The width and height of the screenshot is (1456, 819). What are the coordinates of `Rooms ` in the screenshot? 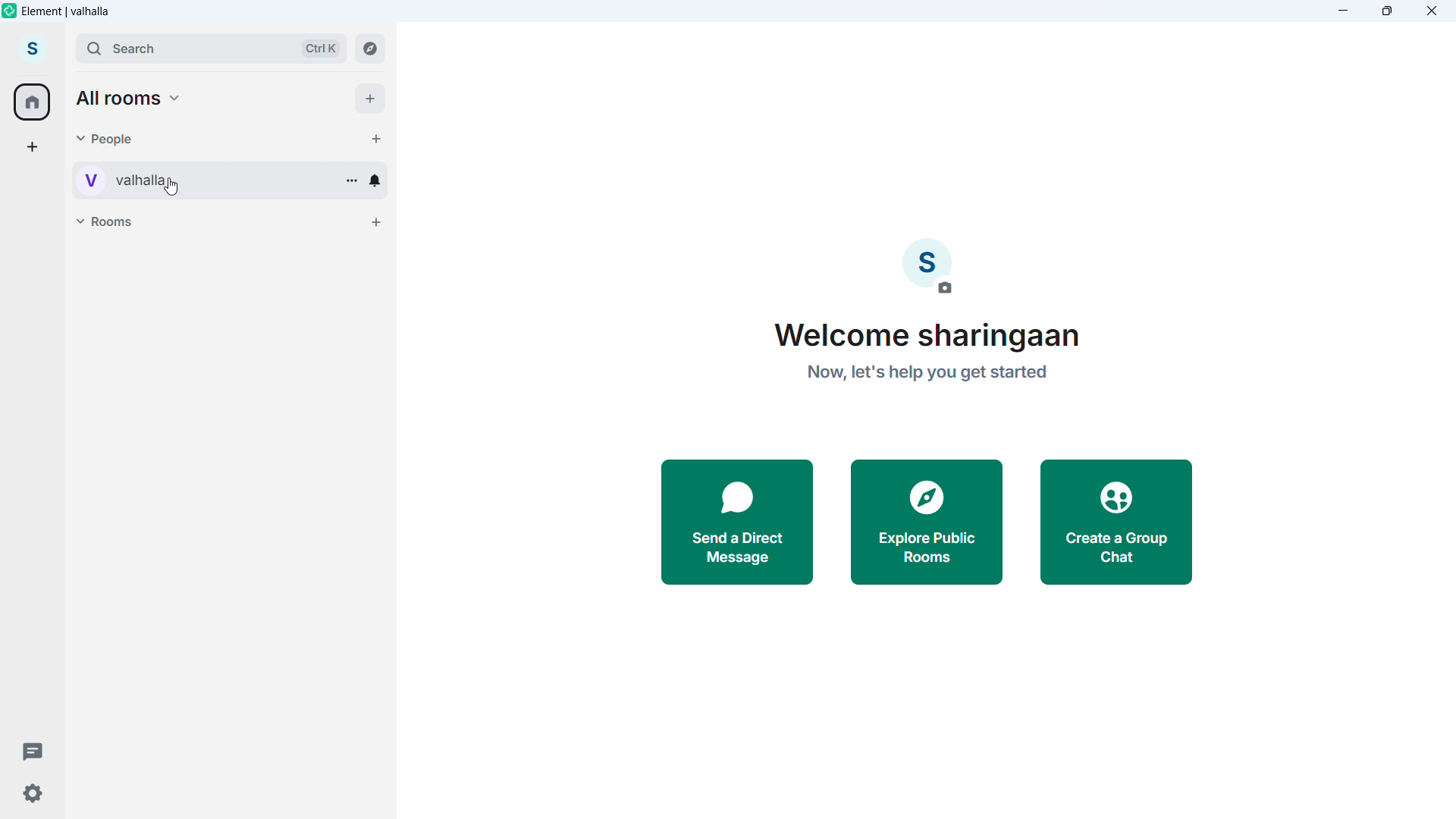 It's located at (108, 221).